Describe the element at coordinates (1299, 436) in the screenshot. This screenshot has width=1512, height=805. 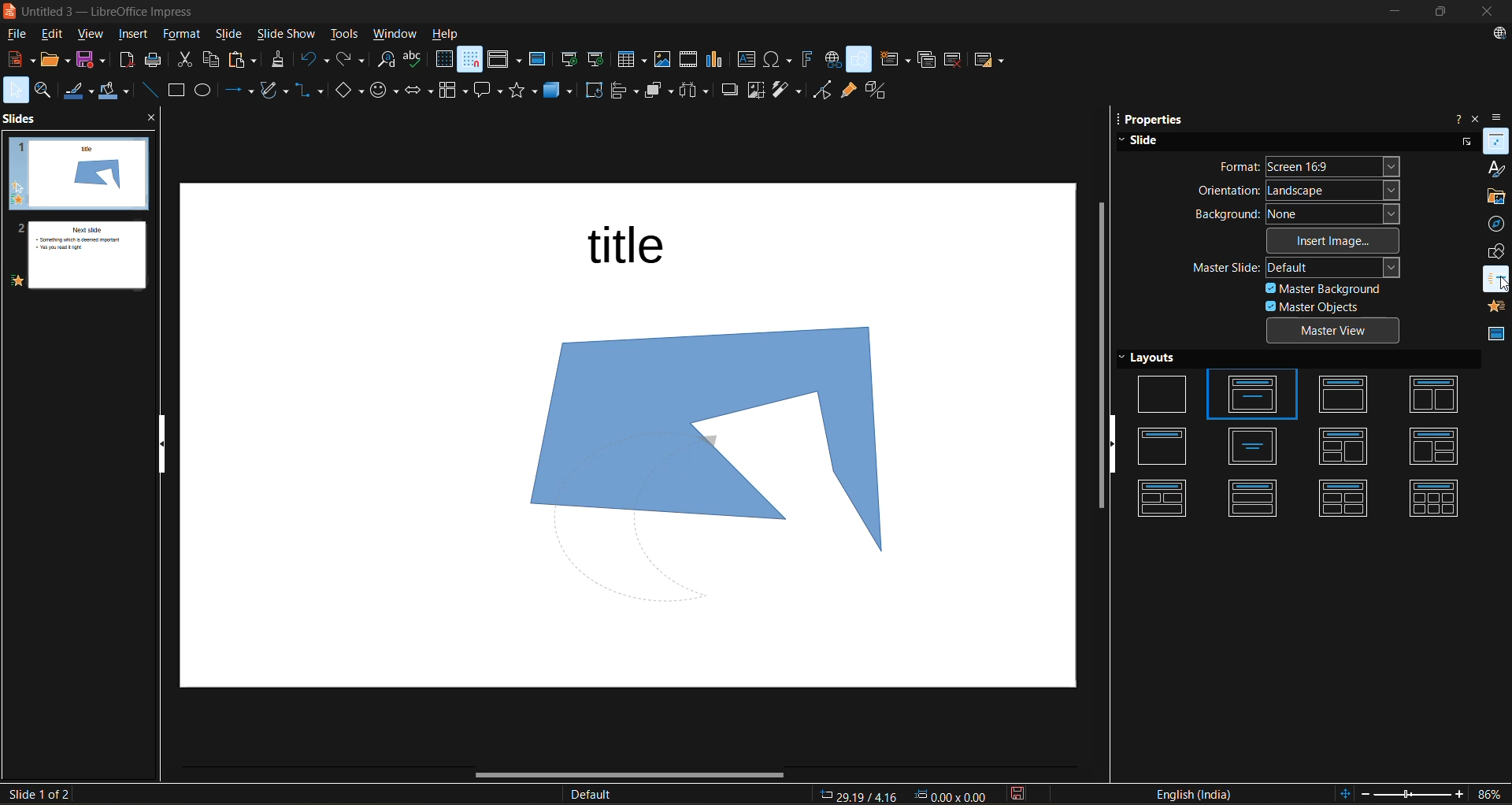
I see `layouts` at that location.